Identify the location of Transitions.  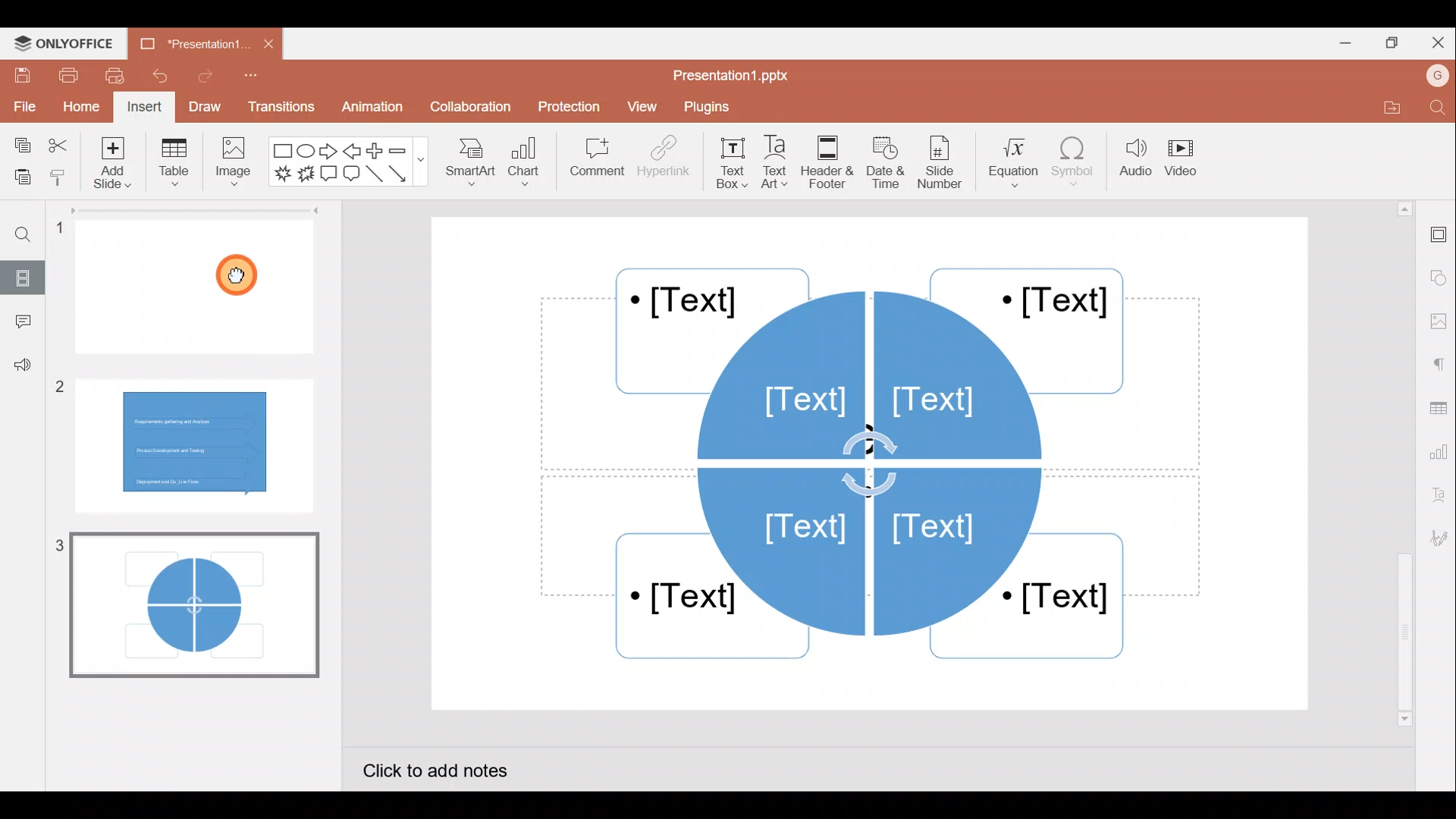
(279, 106).